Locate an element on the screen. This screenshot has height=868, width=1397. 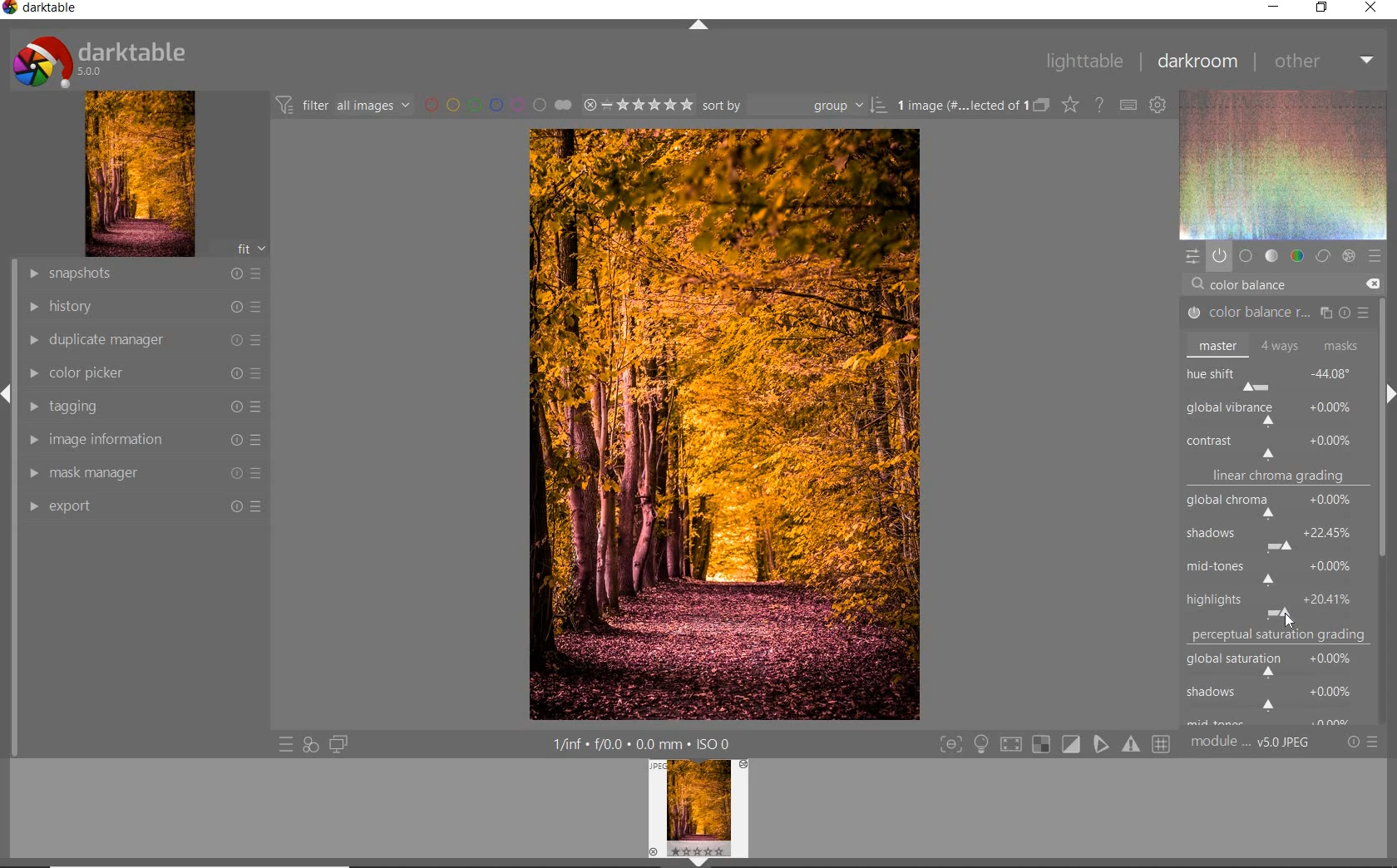
snapshots is located at coordinates (147, 274).